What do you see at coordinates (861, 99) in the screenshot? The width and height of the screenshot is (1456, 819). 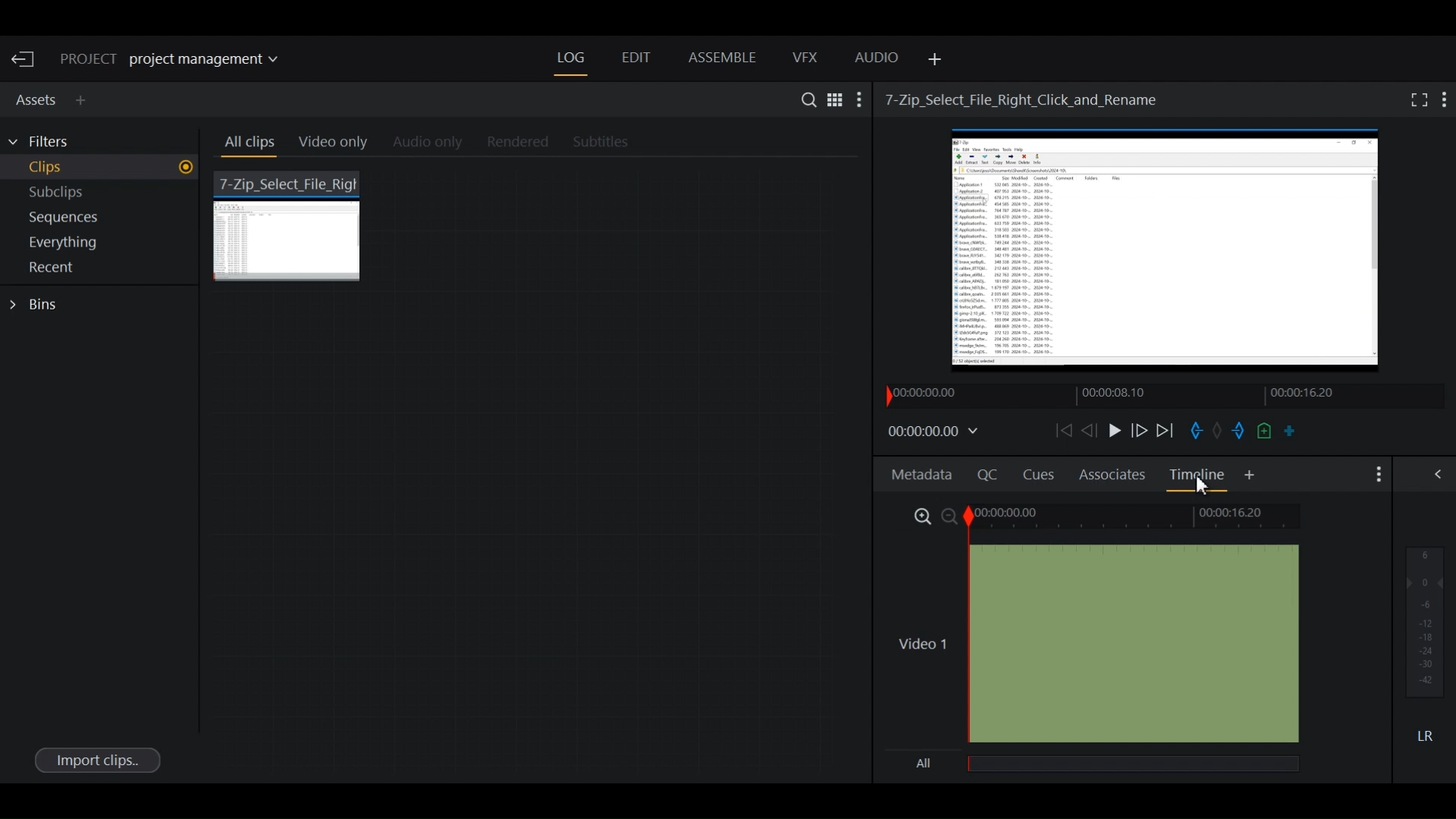 I see `Show settings menu` at bounding box center [861, 99].